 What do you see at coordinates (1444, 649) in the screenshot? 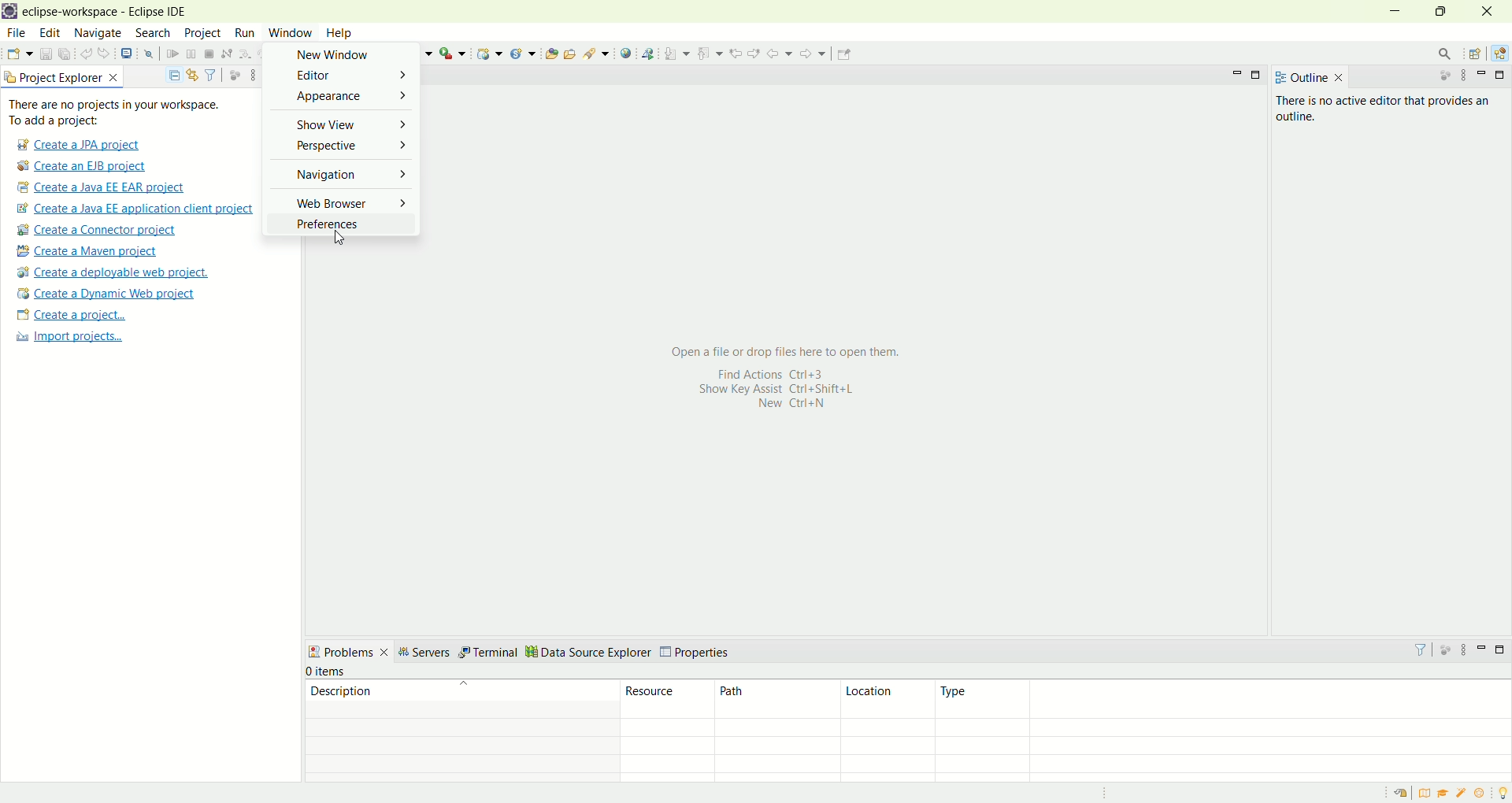
I see `focus on active task` at bounding box center [1444, 649].